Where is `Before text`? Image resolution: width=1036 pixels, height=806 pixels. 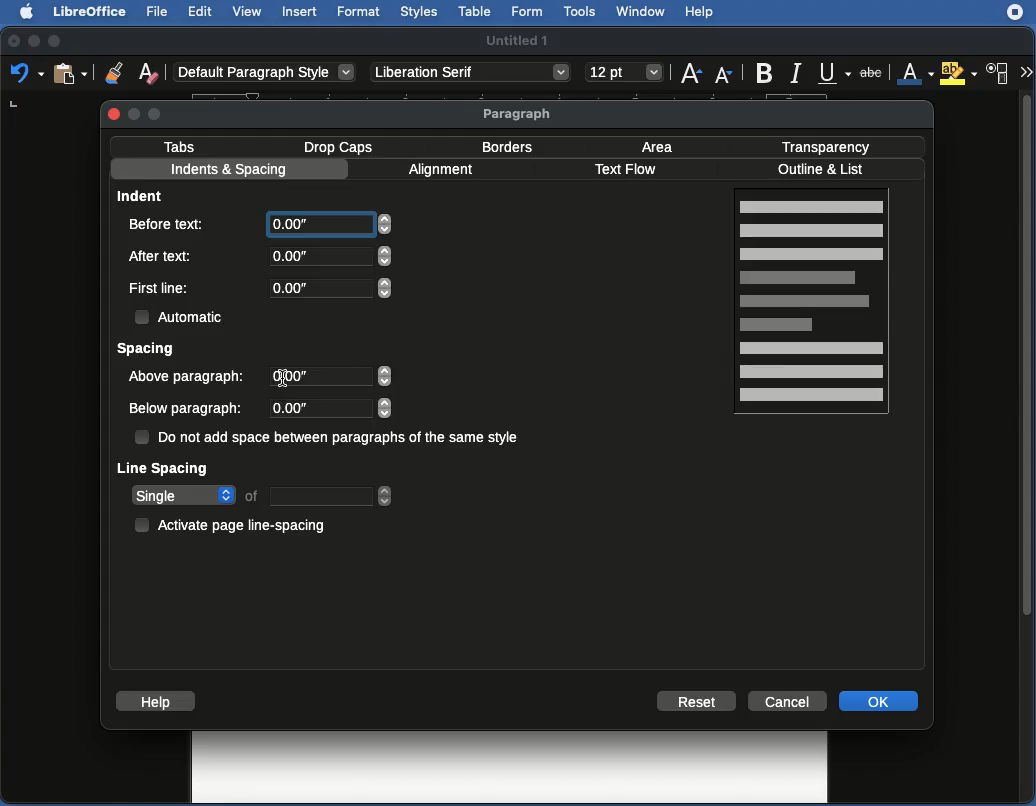 Before text is located at coordinates (173, 223).